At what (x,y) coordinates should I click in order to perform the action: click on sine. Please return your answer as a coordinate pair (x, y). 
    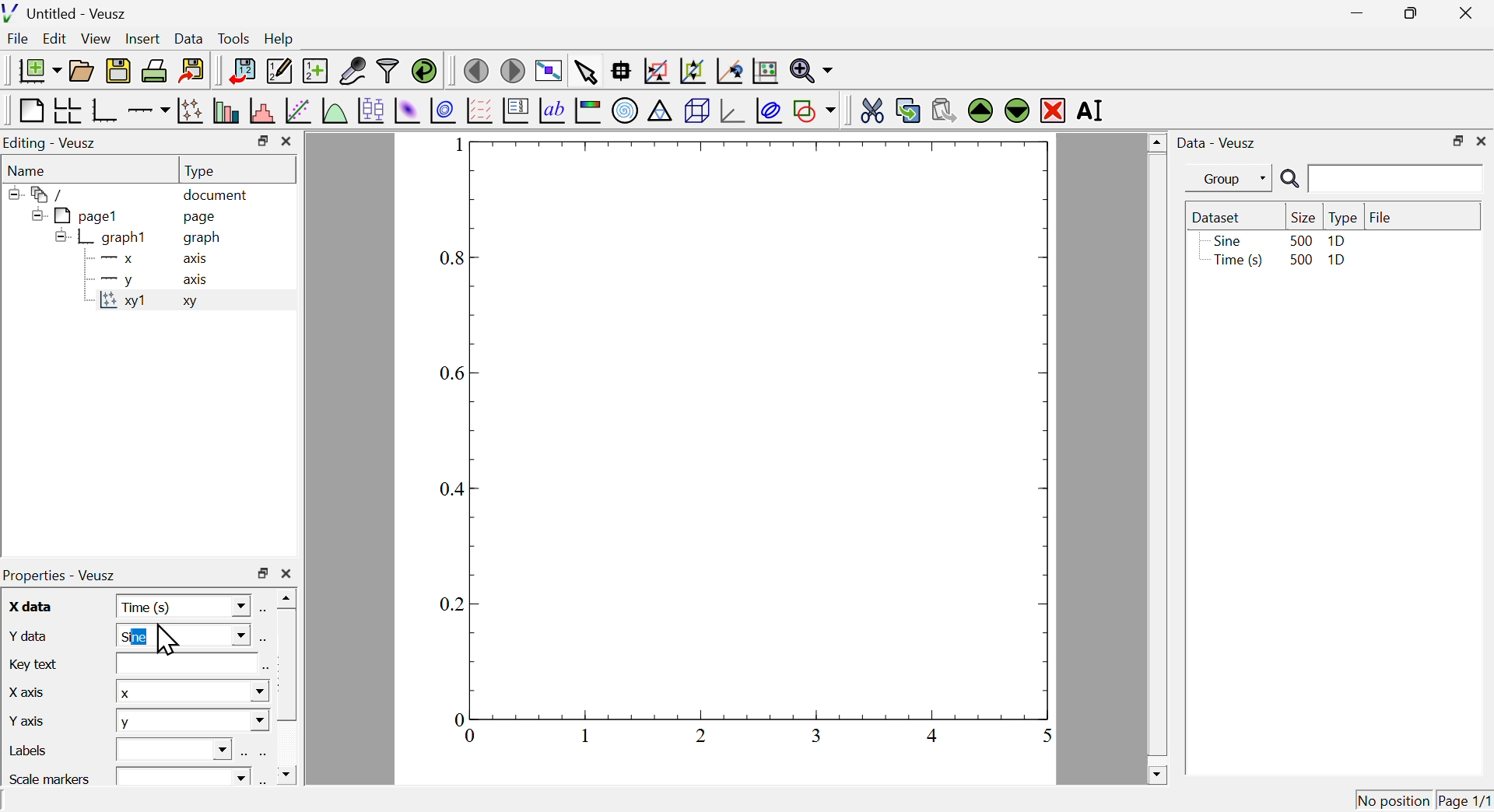
    Looking at the image, I should click on (1226, 240).